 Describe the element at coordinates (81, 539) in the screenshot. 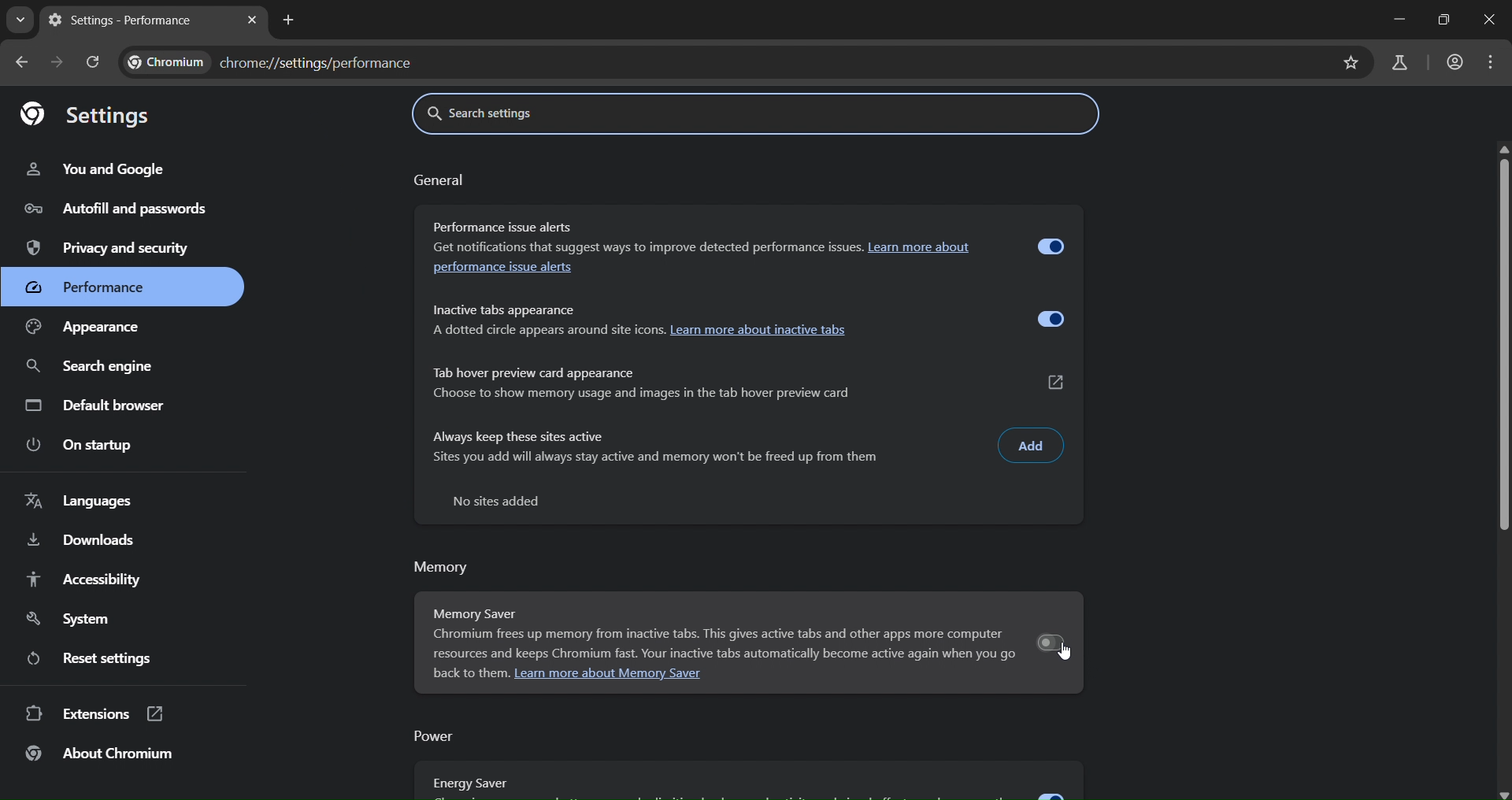

I see `Downloads` at that location.